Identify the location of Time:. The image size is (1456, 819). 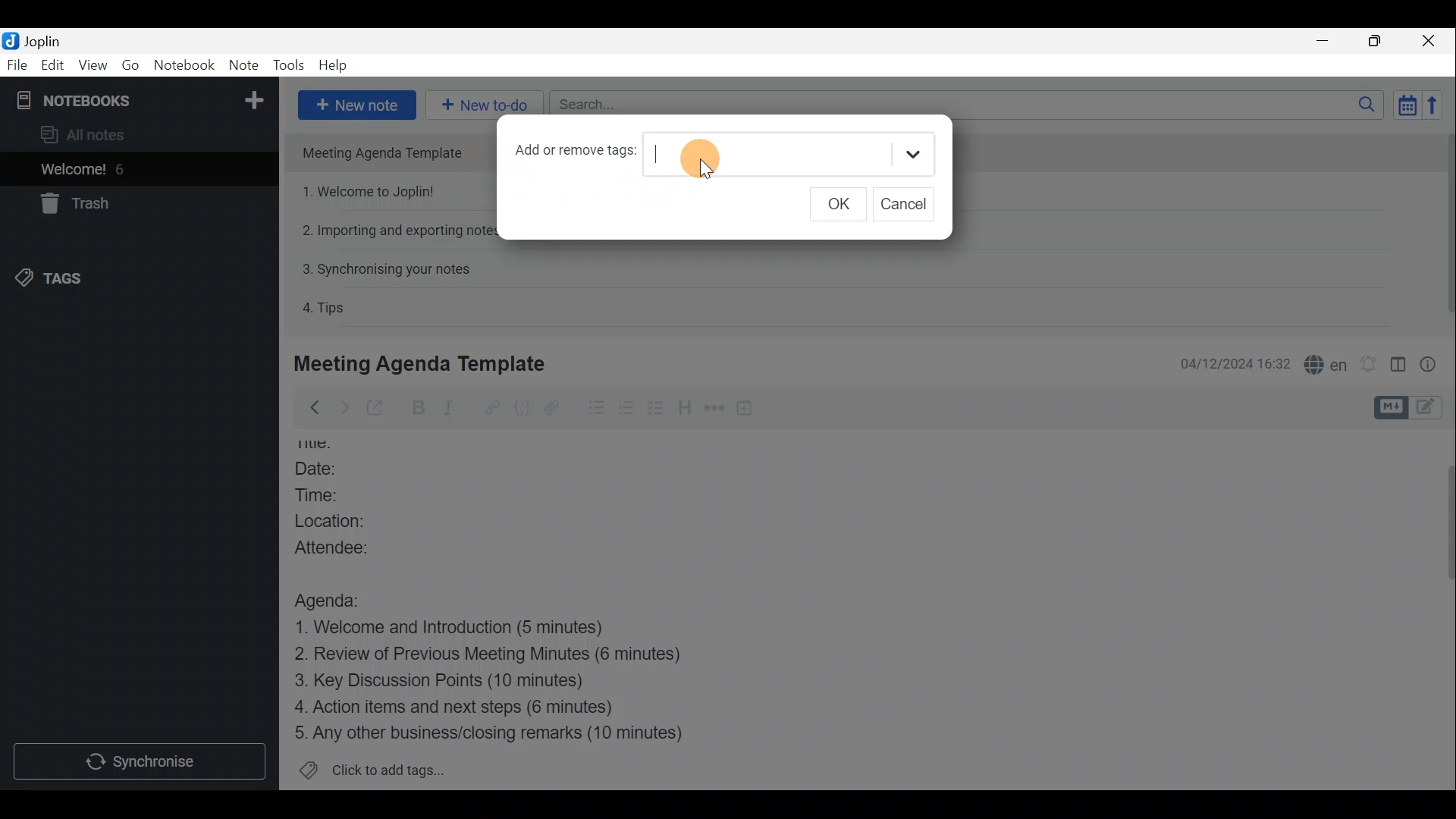
(325, 495).